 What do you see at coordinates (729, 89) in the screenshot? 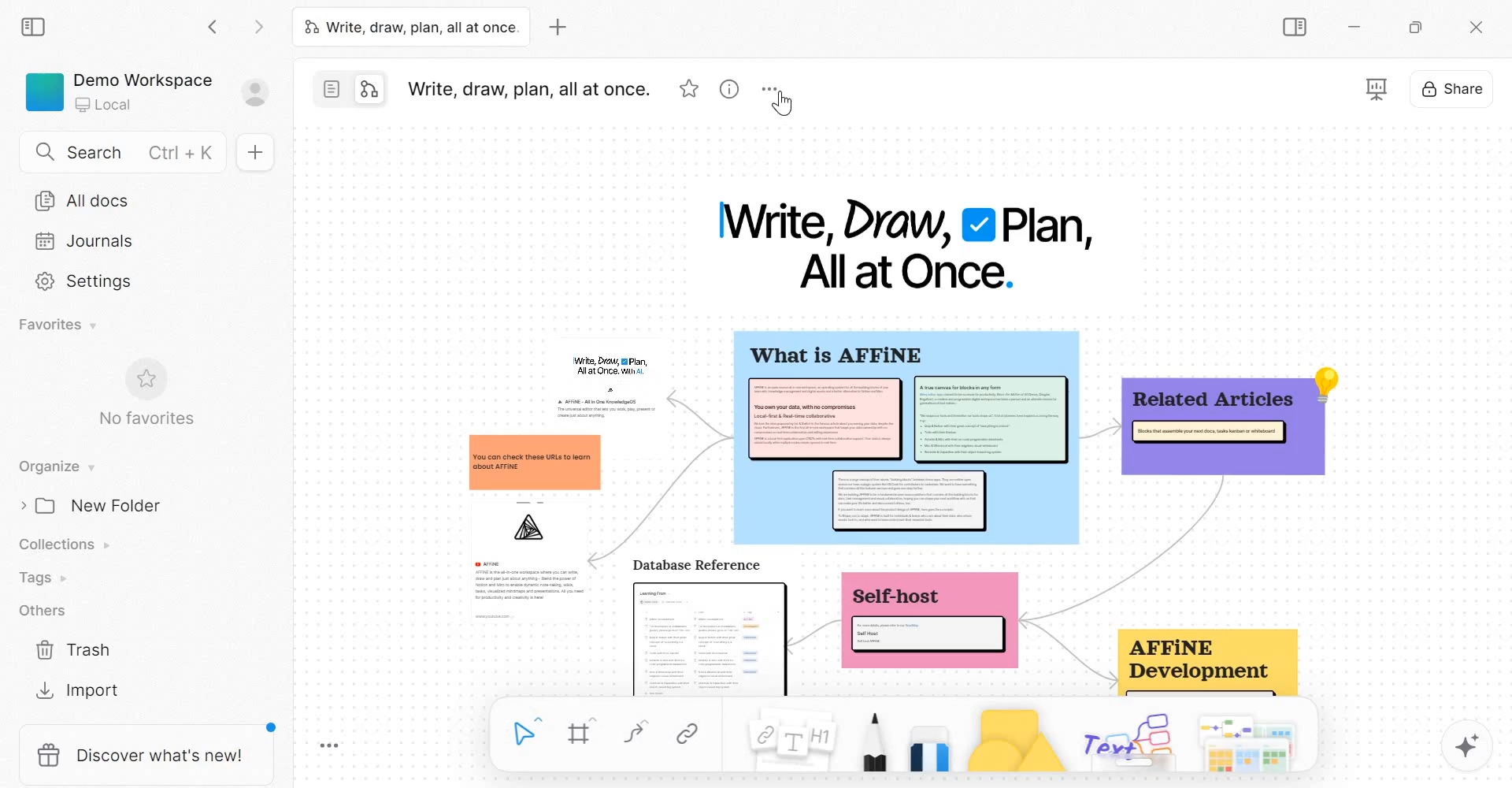
I see `view infor` at bounding box center [729, 89].